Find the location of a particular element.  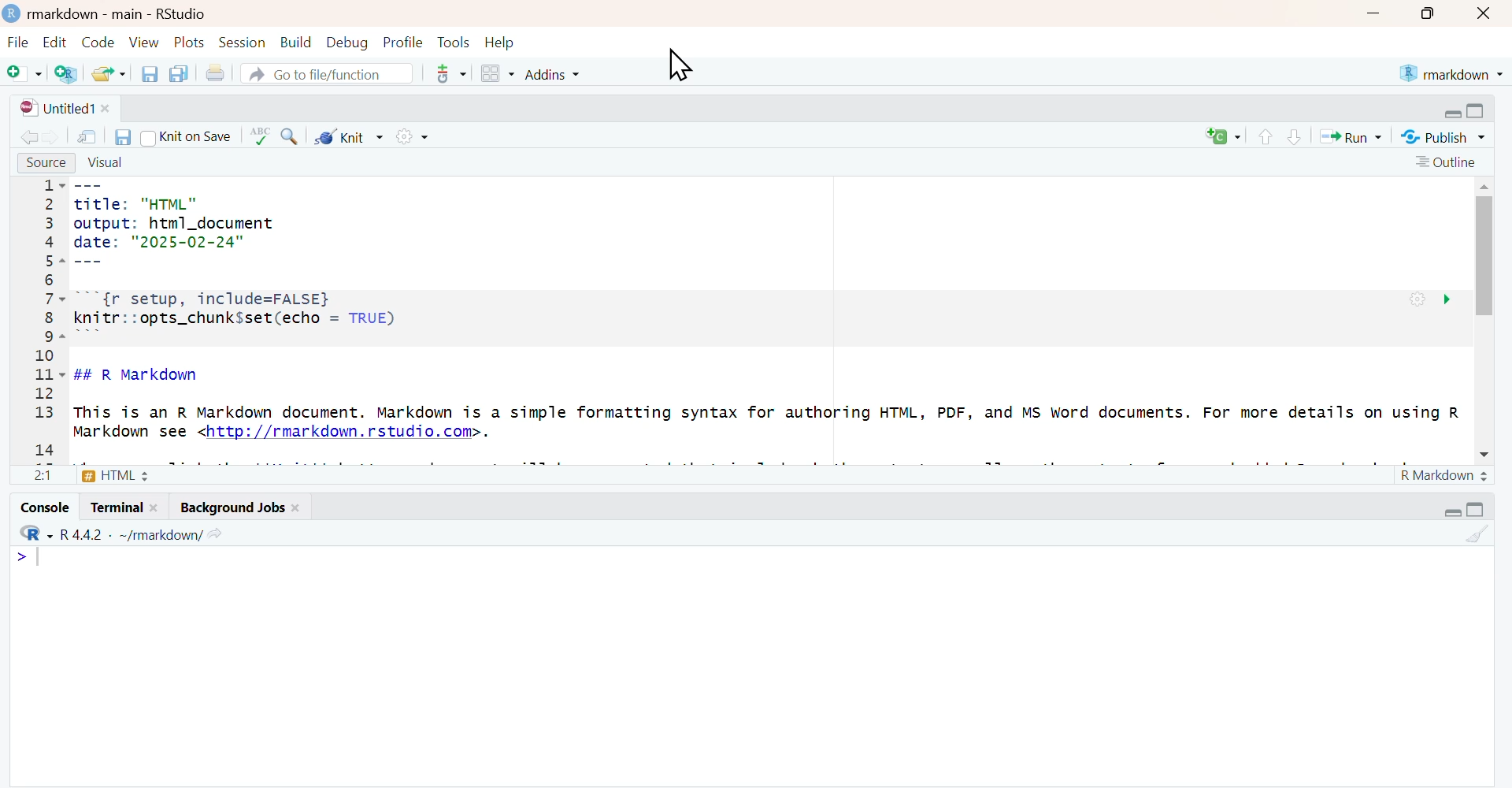

Knit on Save is located at coordinates (186, 137).